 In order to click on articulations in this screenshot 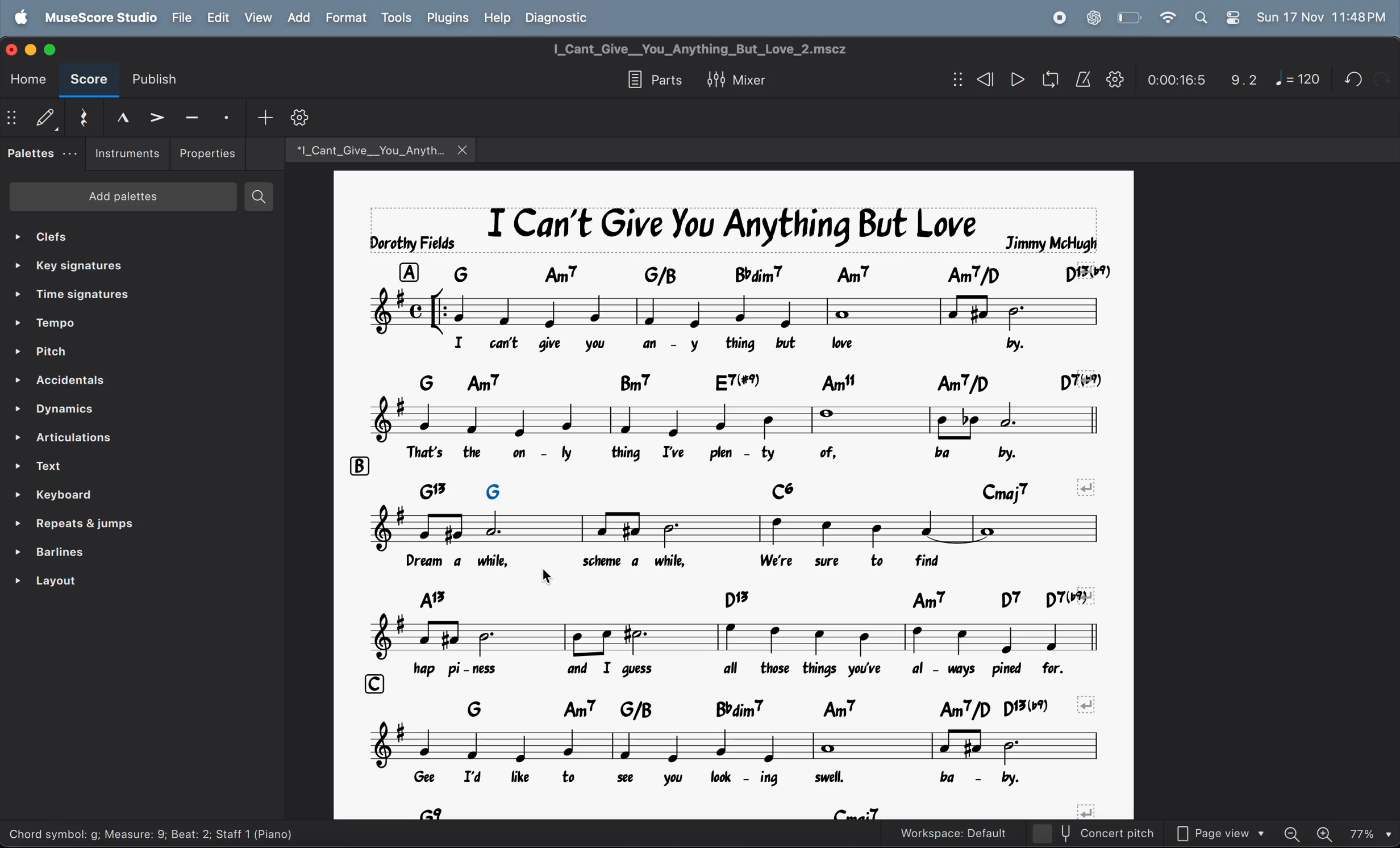, I will do `click(124, 440)`.